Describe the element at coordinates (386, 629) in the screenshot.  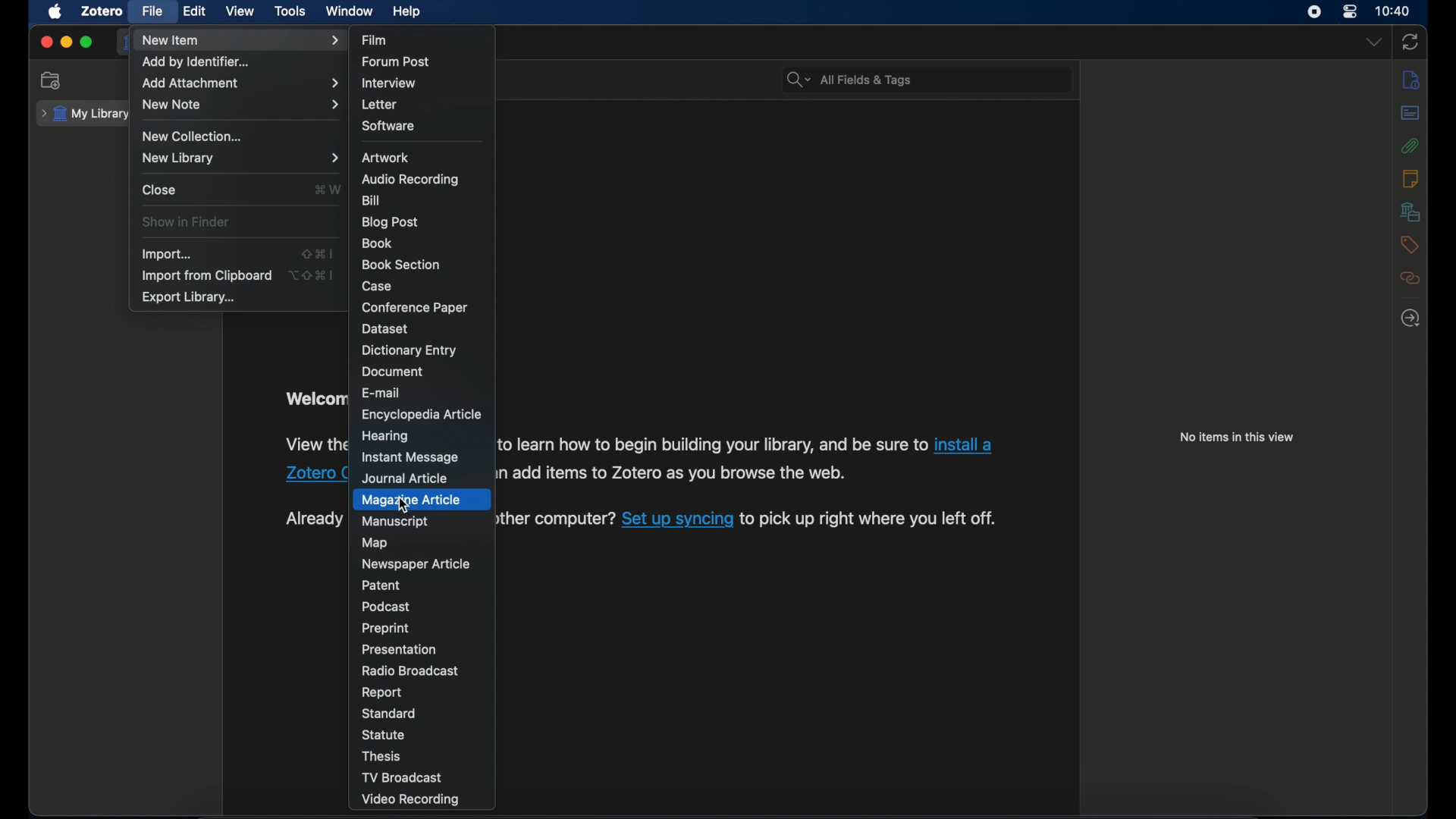
I see `preprint` at that location.